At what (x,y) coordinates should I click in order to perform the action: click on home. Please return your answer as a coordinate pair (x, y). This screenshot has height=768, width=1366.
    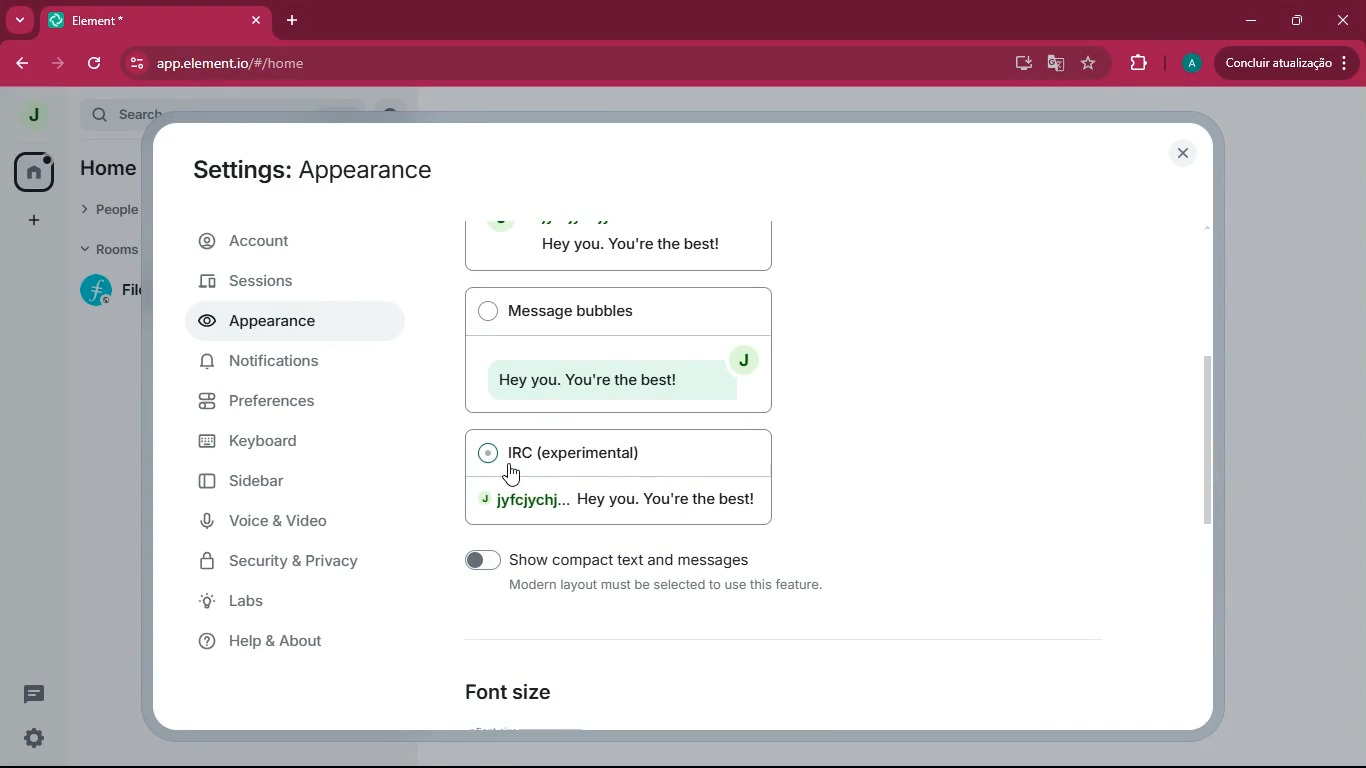
    Looking at the image, I should click on (34, 171).